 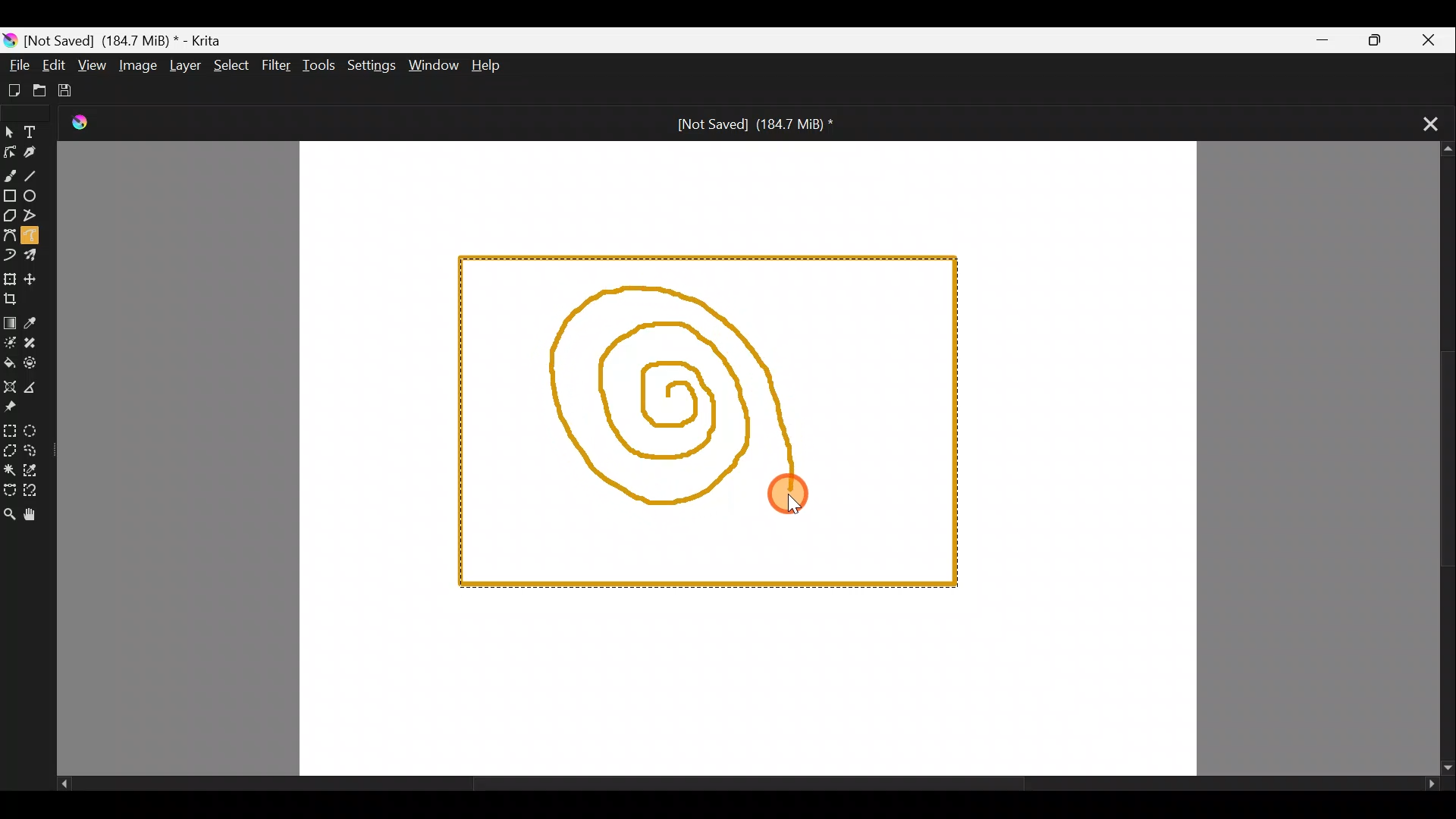 I want to click on Cursor, so click(x=795, y=505).